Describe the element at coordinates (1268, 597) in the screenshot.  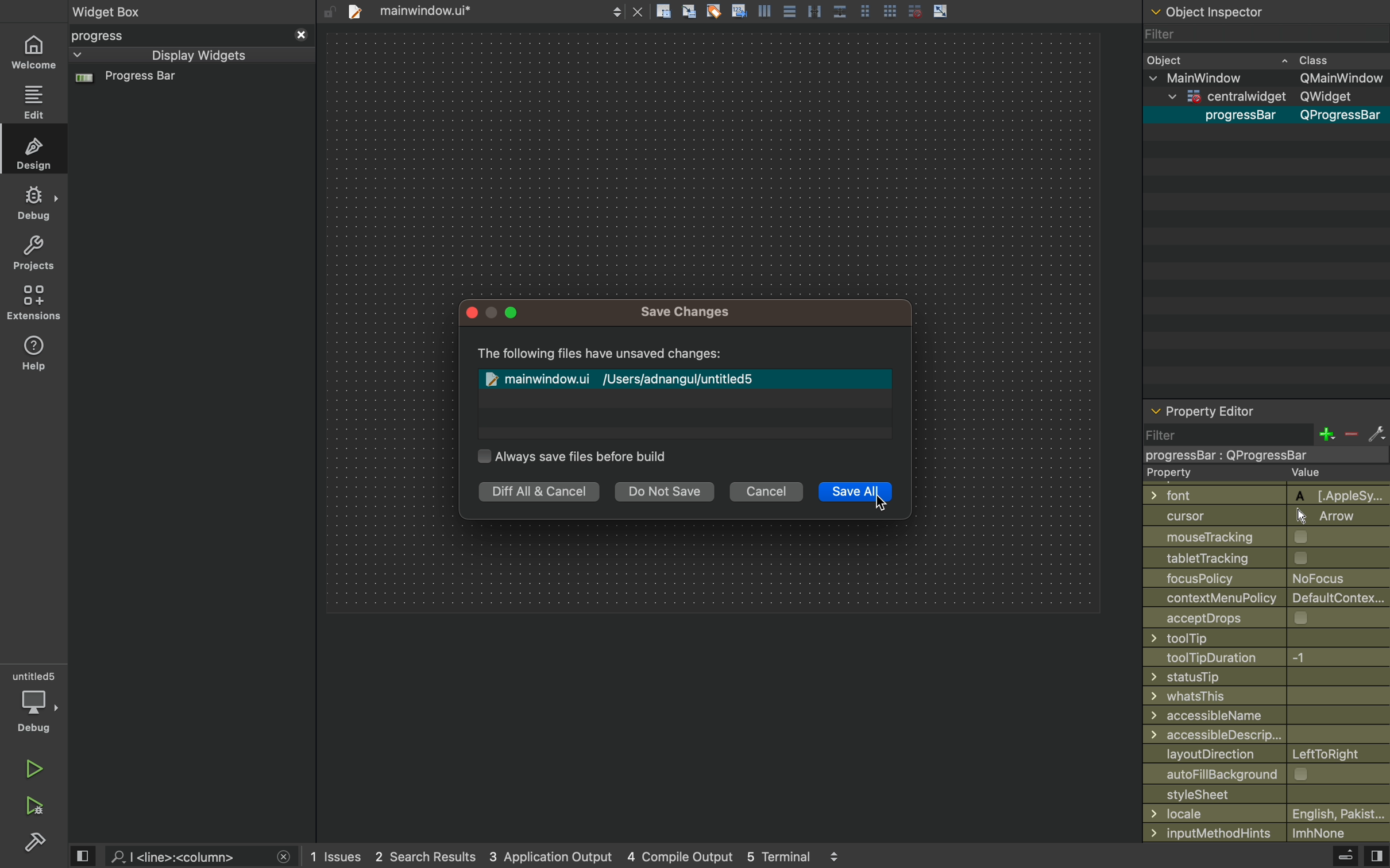
I see `contextmenupolicy` at that location.